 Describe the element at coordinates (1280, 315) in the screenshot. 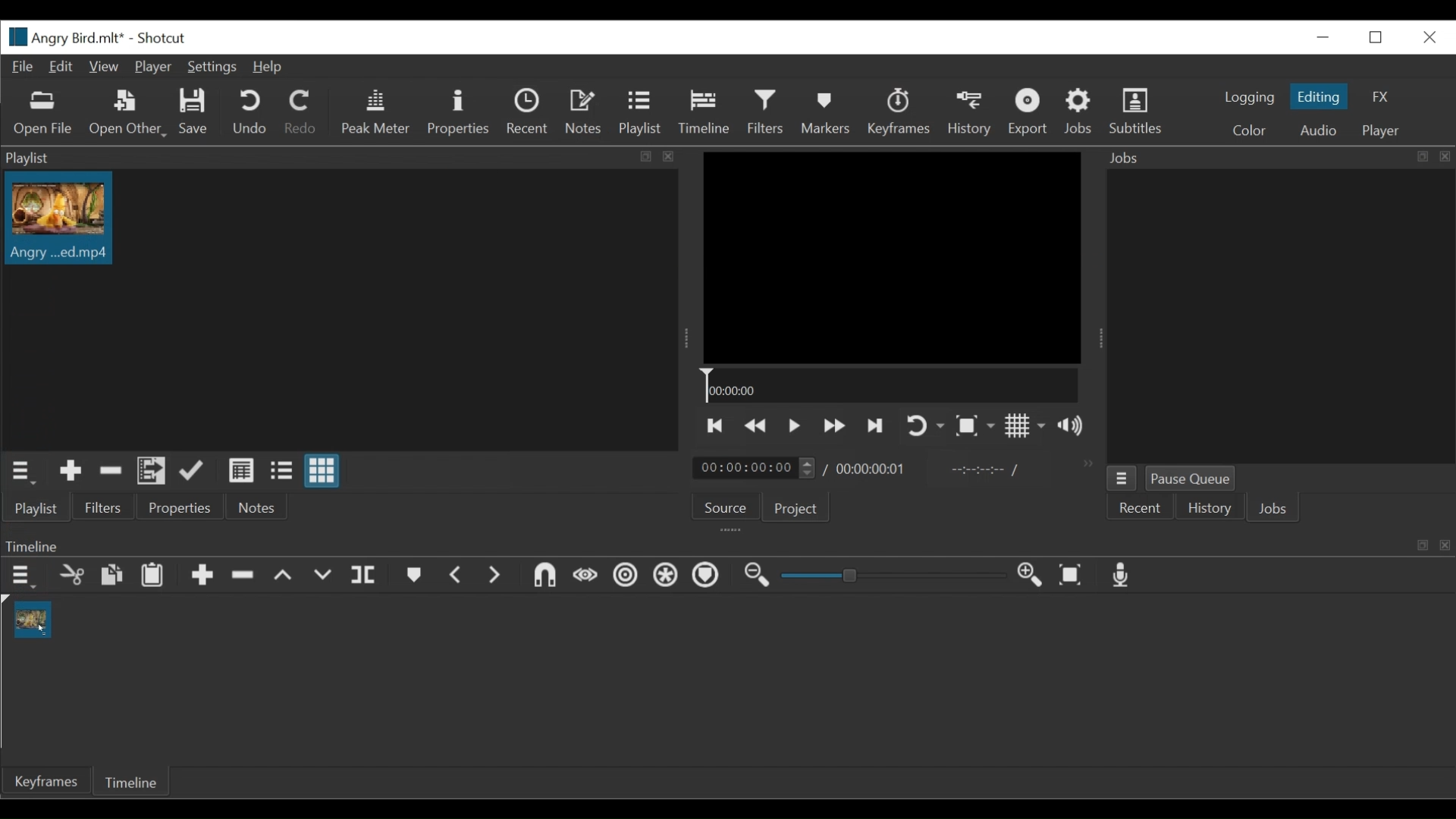

I see `Jobs Panel` at that location.